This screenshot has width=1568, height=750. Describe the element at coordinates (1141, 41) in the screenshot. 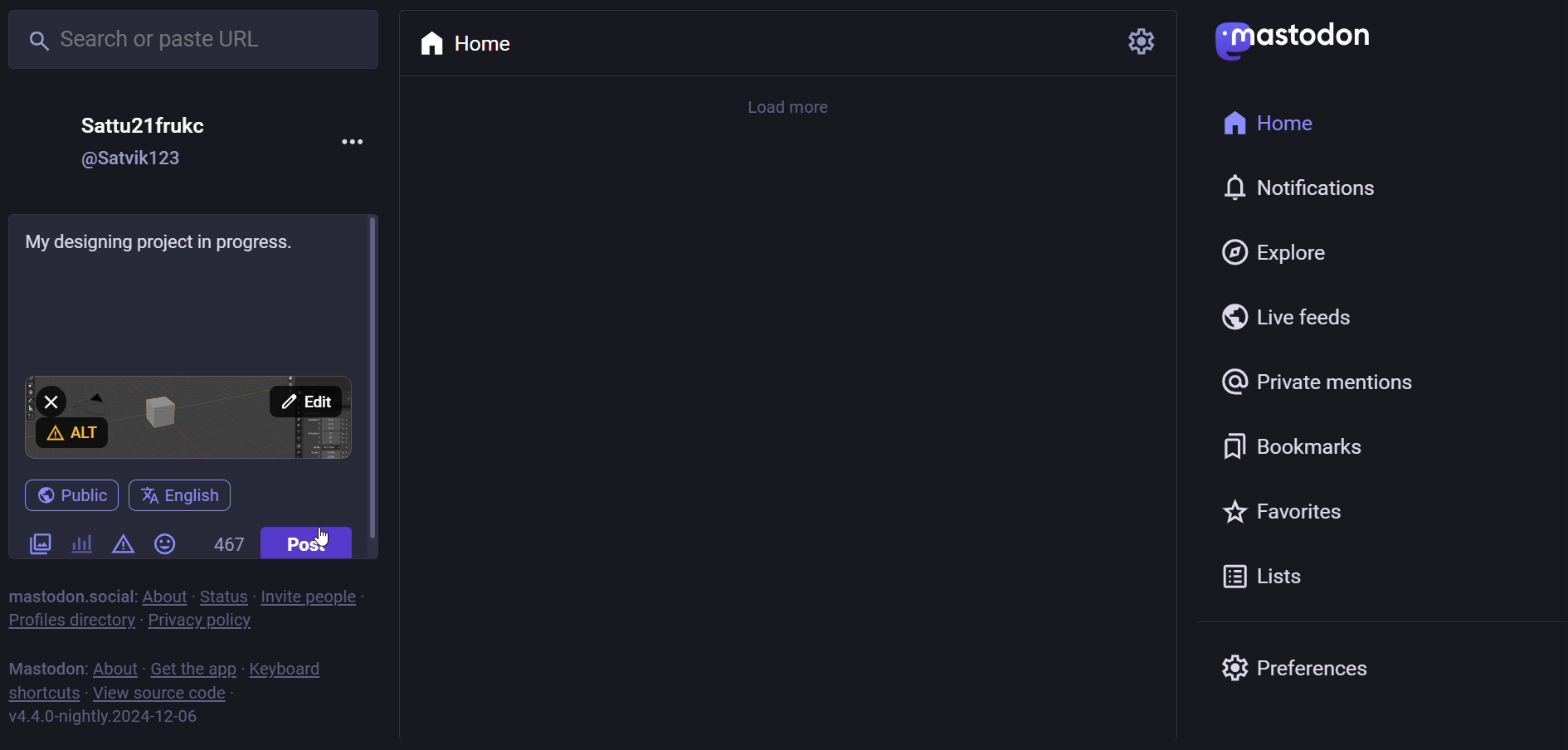

I see `setting` at that location.